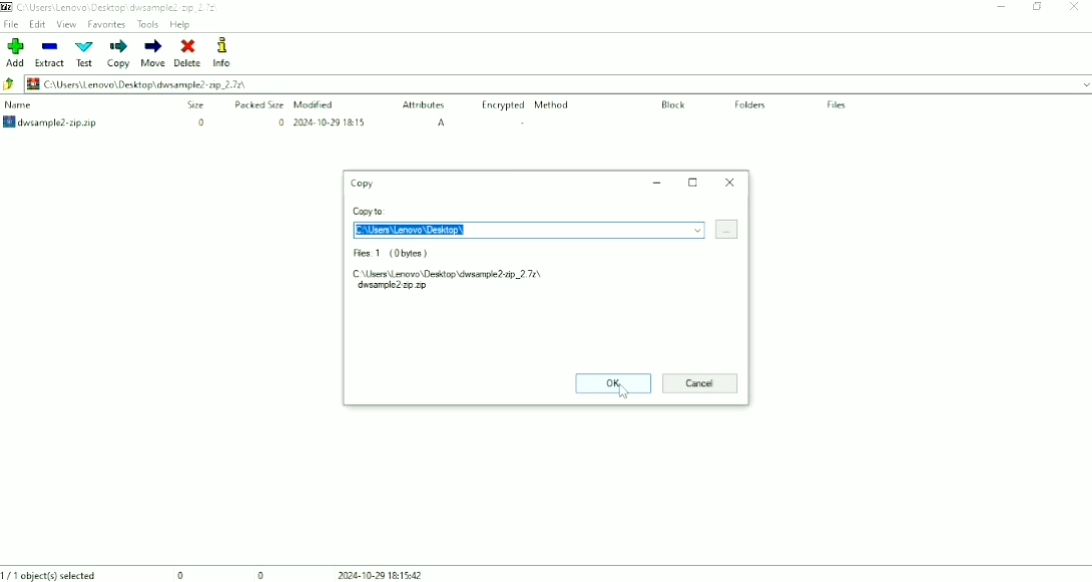  What do you see at coordinates (20, 105) in the screenshot?
I see `Name` at bounding box center [20, 105].